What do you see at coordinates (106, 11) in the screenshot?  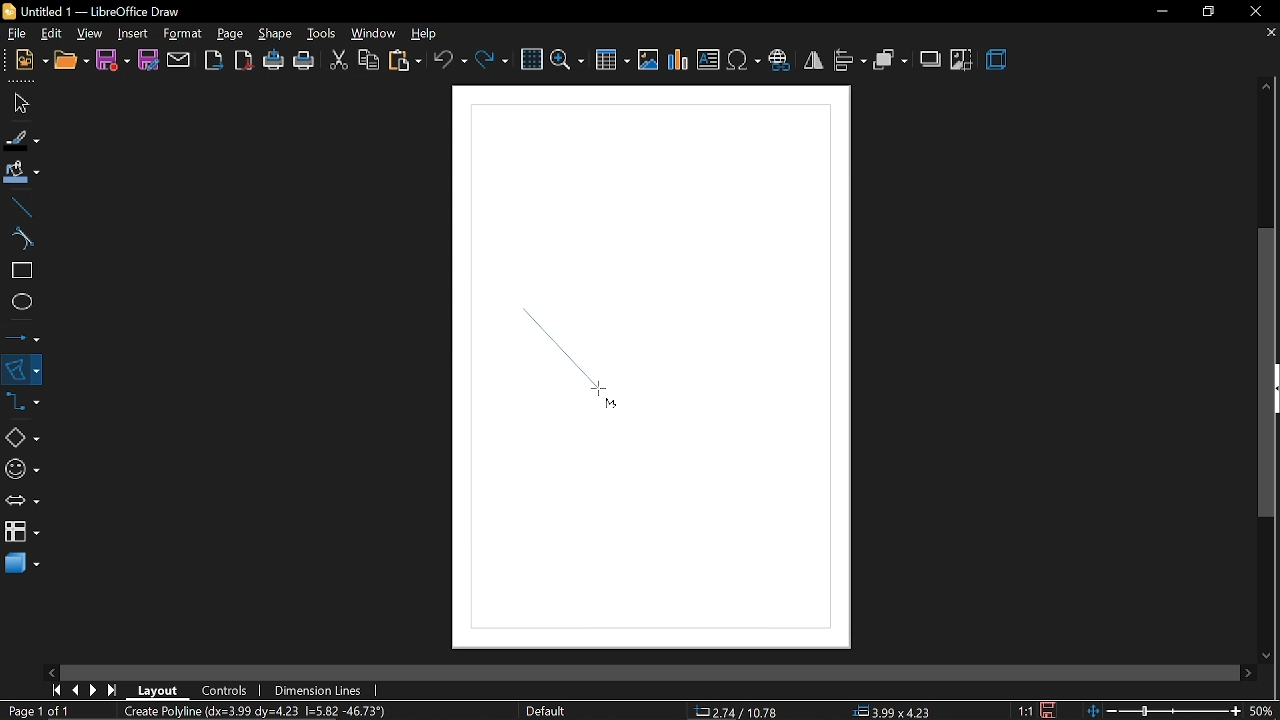 I see `Untitled 1- Libreoffice Draw` at bounding box center [106, 11].